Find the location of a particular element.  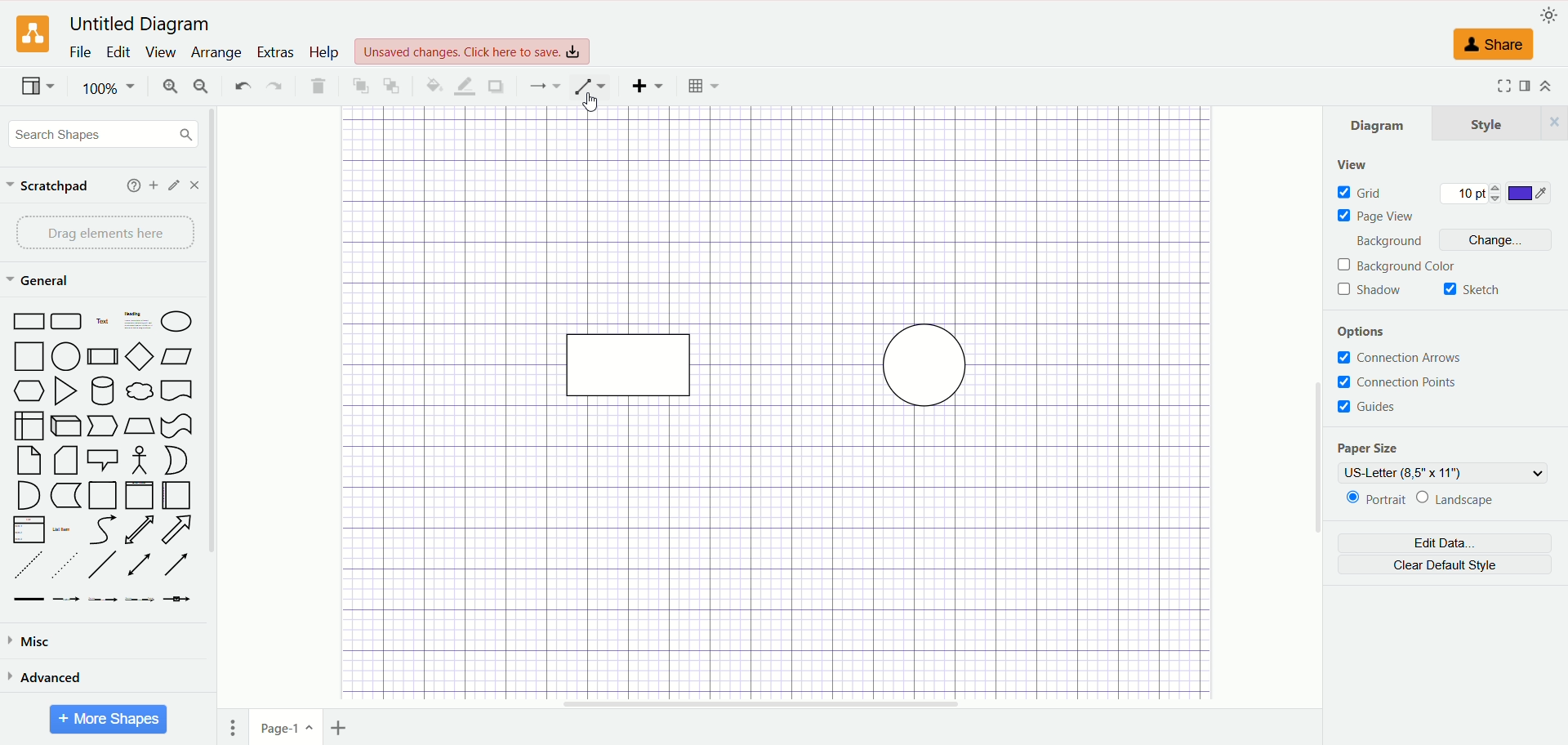

vertical scroll bar is located at coordinates (1306, 401).